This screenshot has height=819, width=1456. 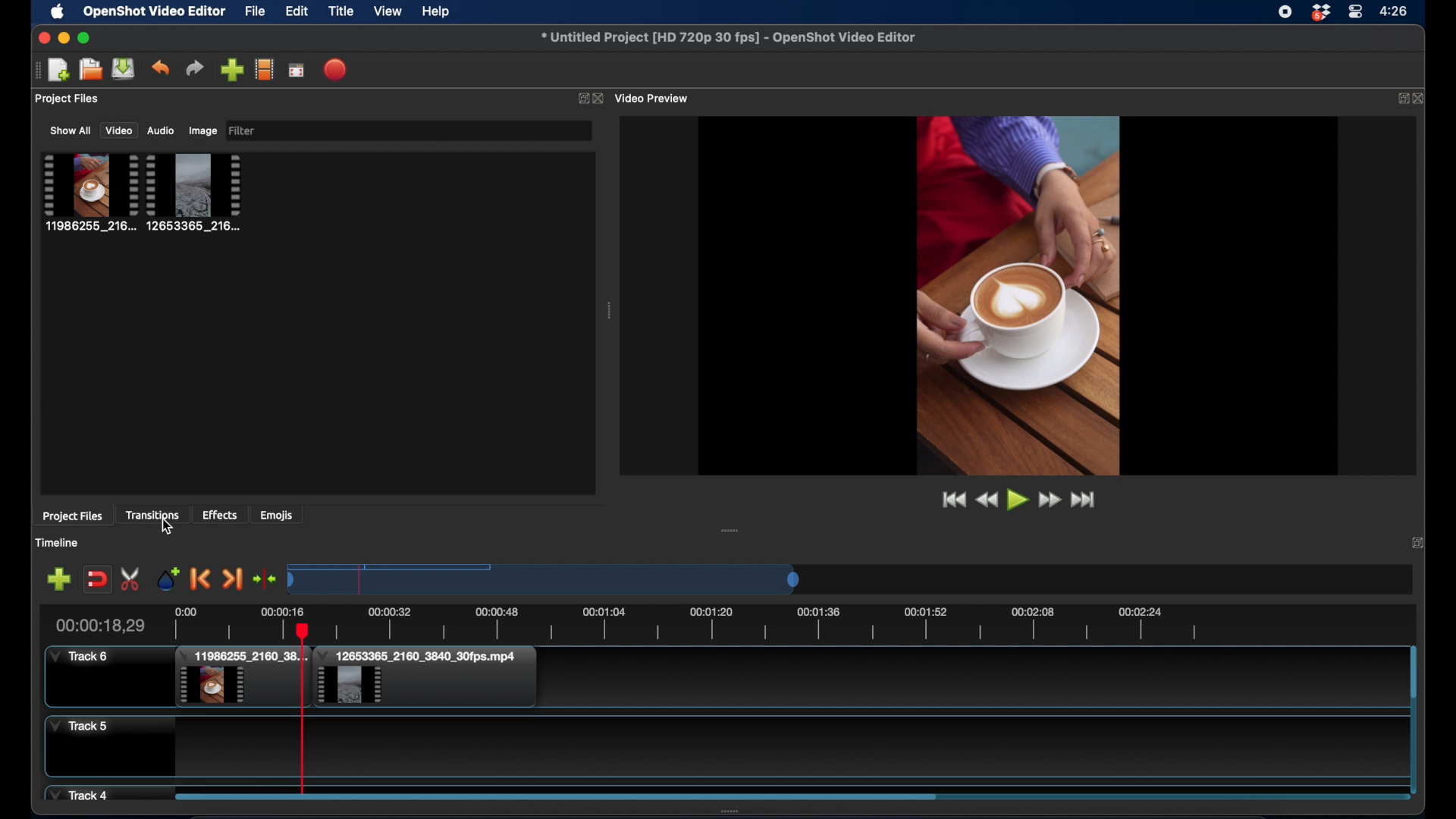 What do you see at coordinates (162, 67) in the screenshot?
I see `undo` at bounding box center [162, 67].